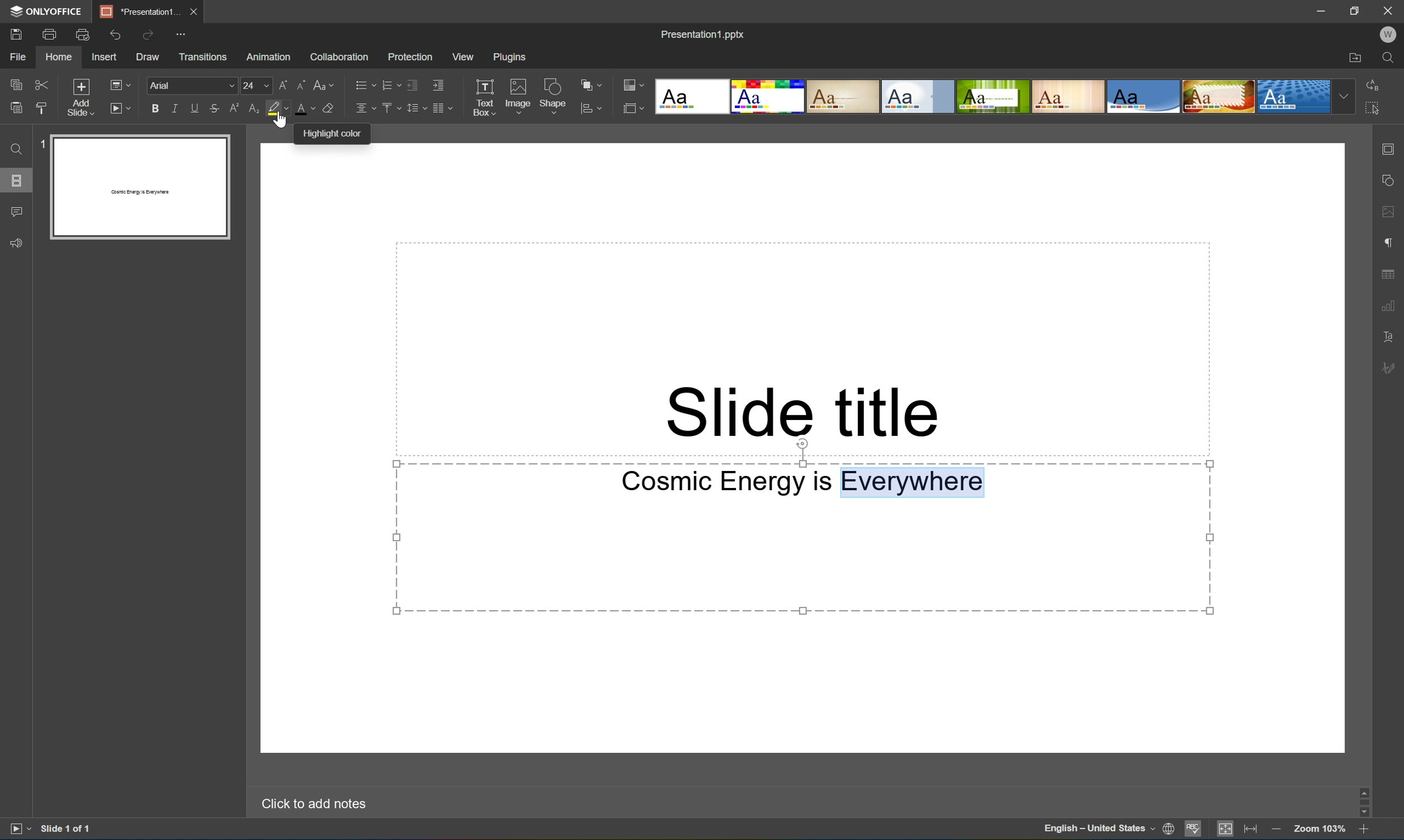  What do you see at coordinates (1390, 145) in the screenshot?
I see `Slide settings` at bounding box center [1390, 145].